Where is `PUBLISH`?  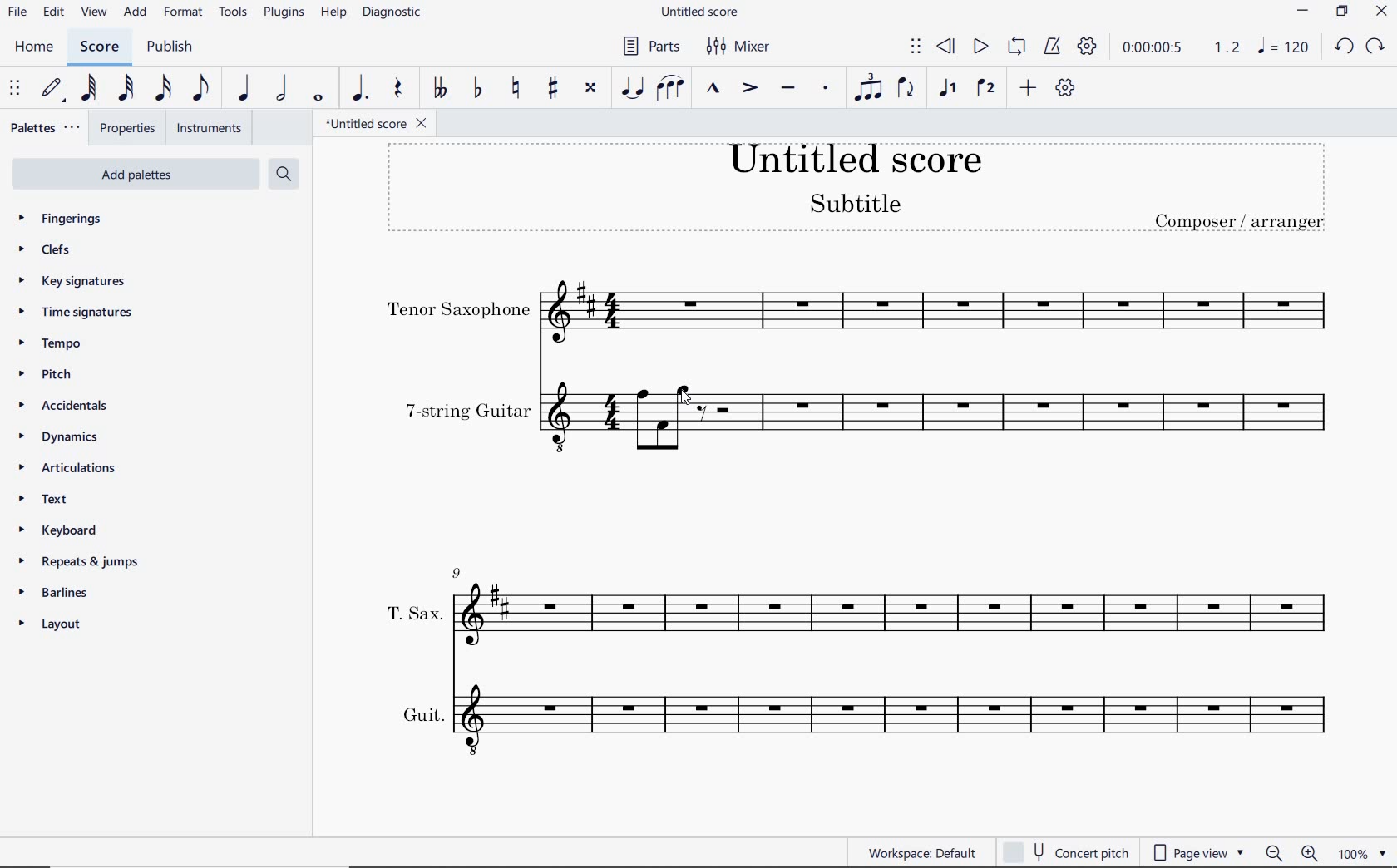
PUBLISH is located at coordinates (175, 47).